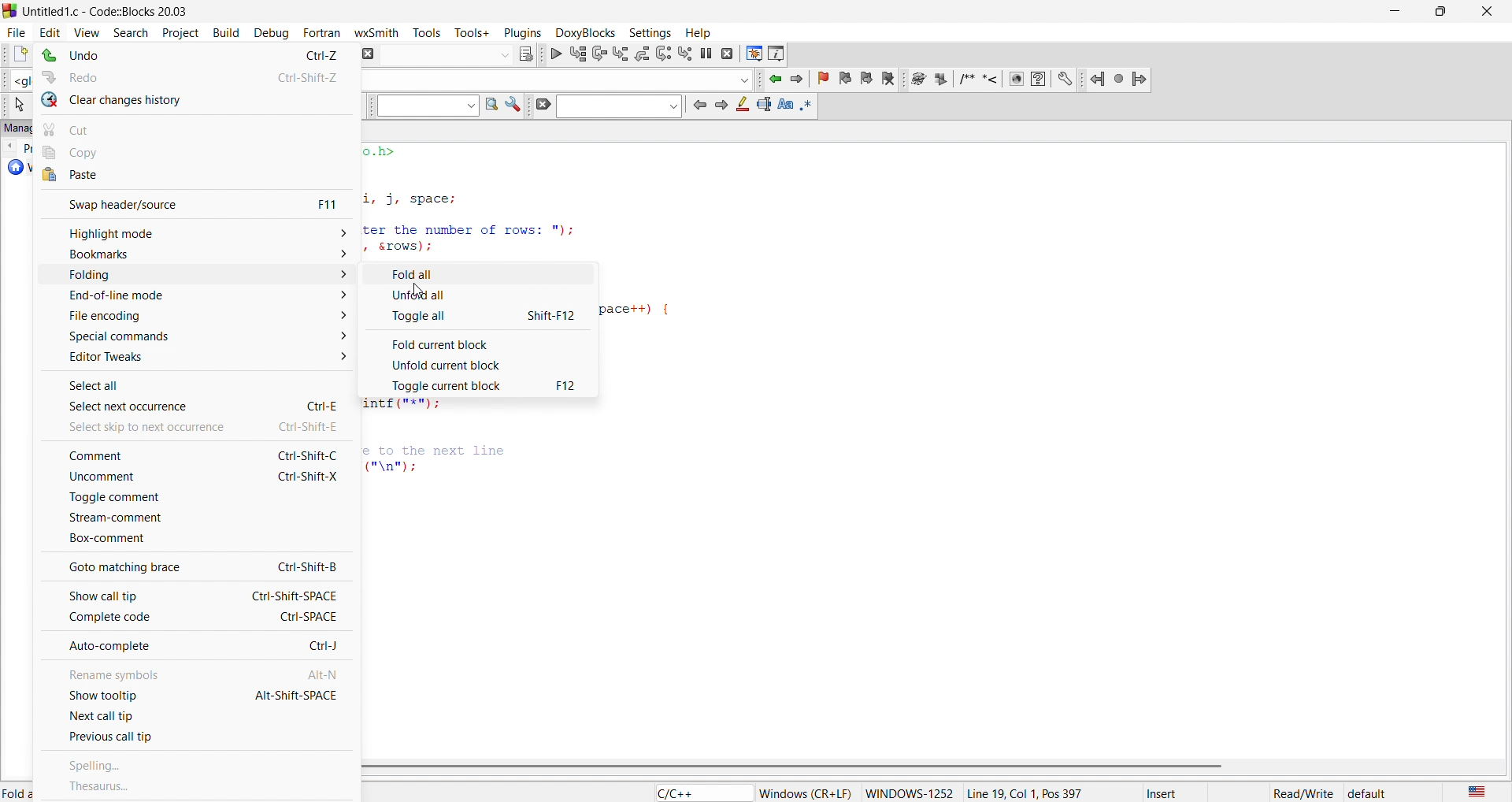 The image size is (1512, 802). What do you see at coordinates (1099, 79) in the screenshot?
I see `jump back` at bounding box center [1099, 79].